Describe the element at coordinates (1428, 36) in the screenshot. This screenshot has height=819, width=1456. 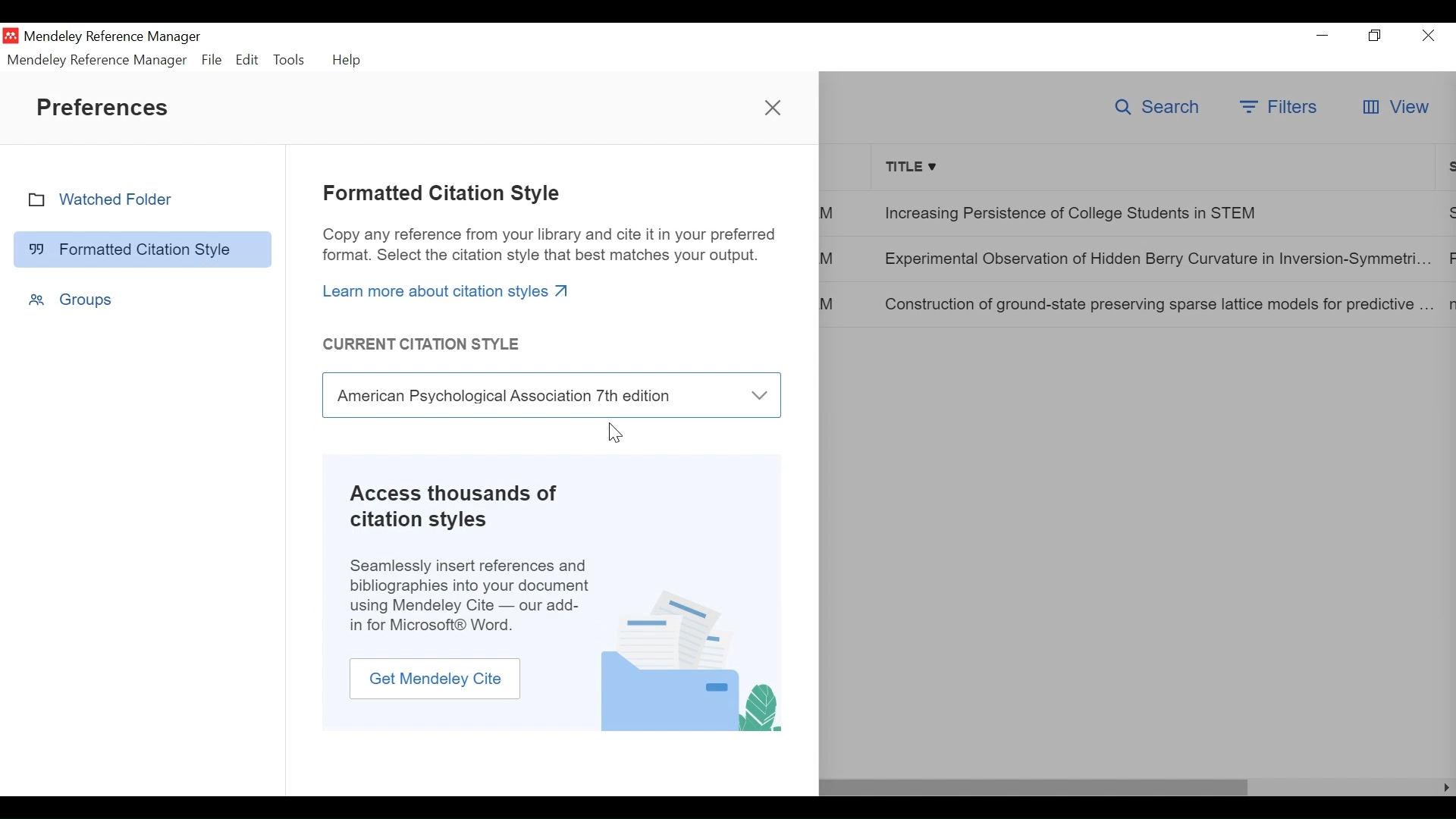
I see `Close` at that location.